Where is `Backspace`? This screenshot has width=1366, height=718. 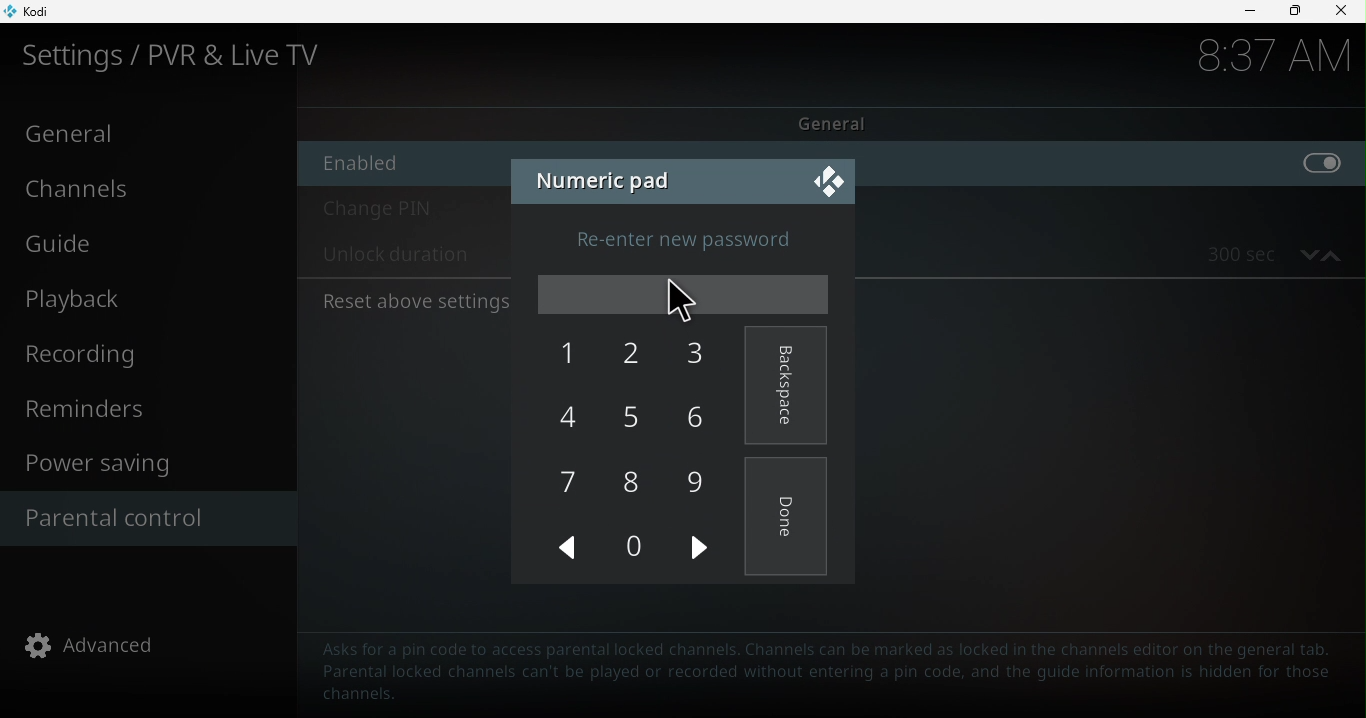 Backspace is located at coordinates (787, 382).